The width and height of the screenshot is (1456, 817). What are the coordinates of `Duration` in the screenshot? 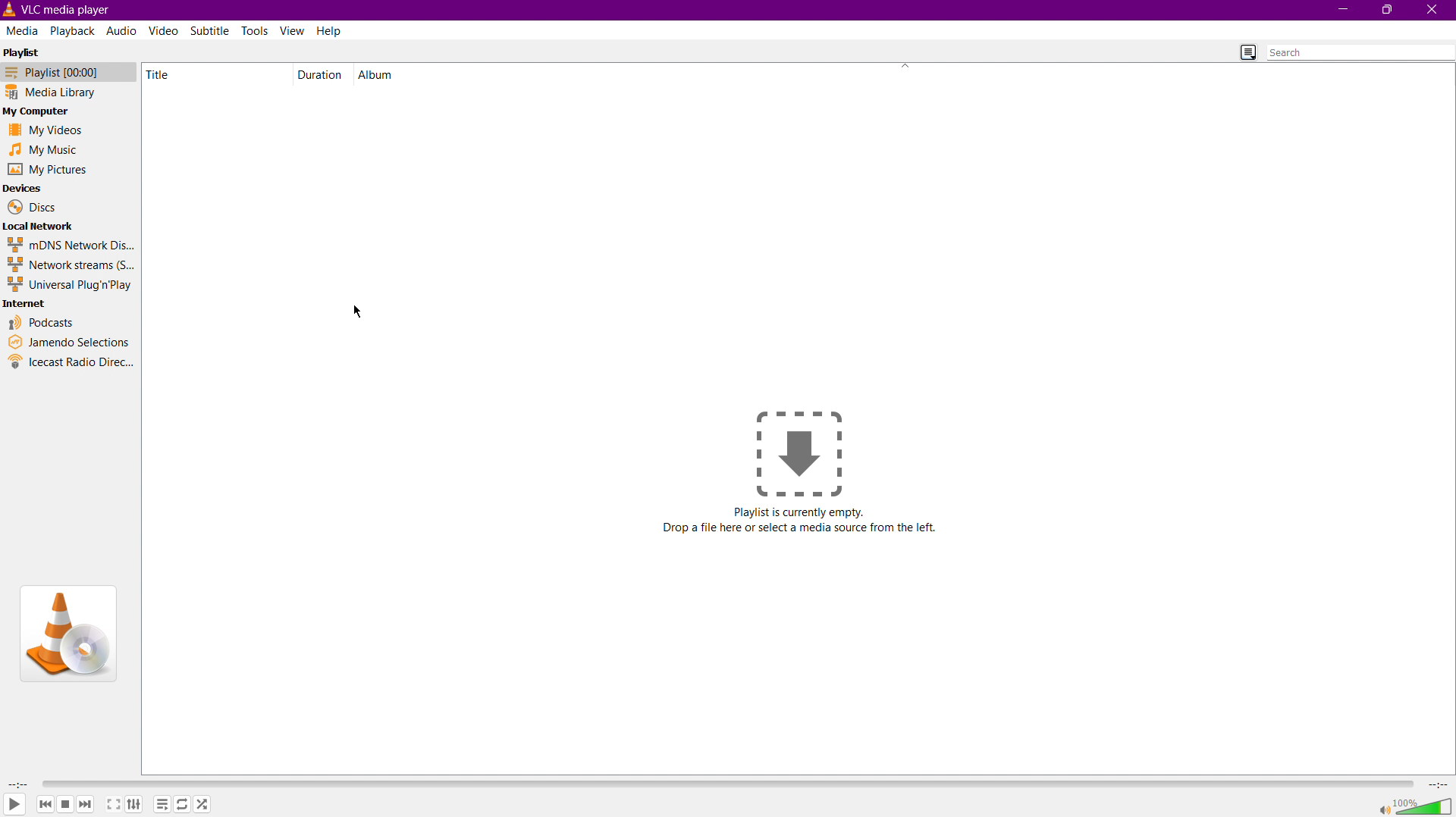 It's located at (318, 74).